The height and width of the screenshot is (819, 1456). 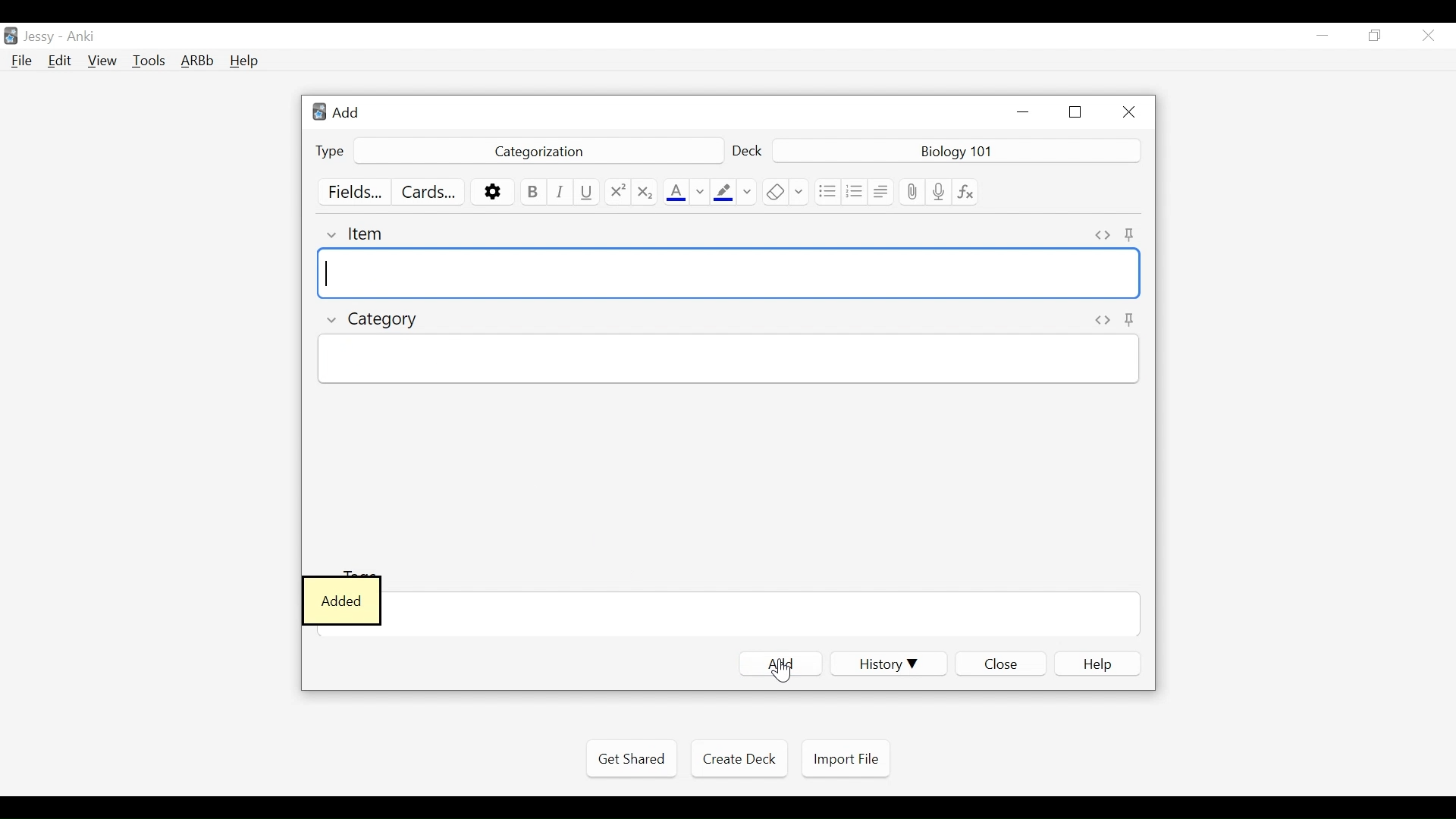 What do you see at coordinates (827, 191) in the screenshot?
I see `Unordered list` at bounding box center [827, 191].